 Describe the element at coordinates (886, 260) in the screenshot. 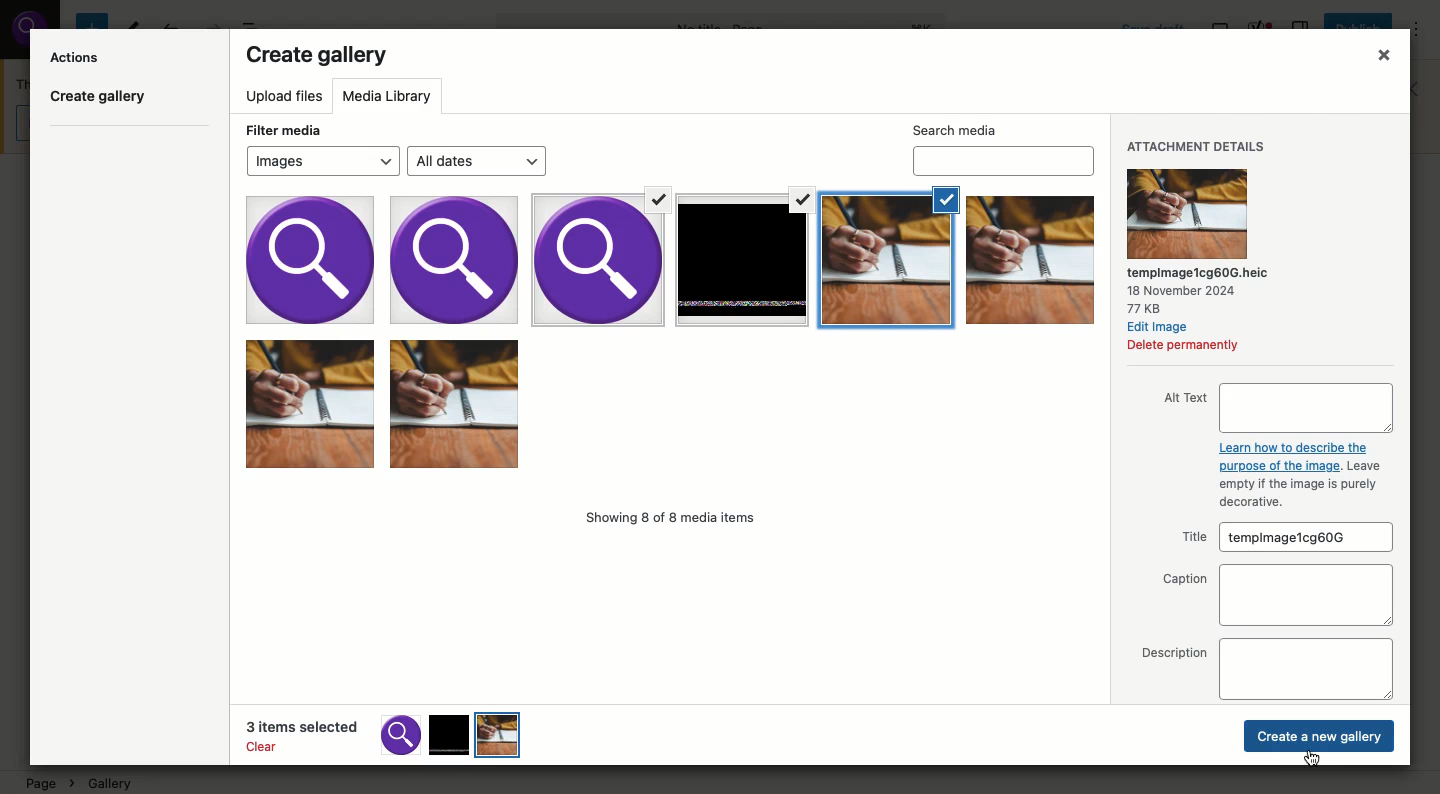

I see `Selected` at that location.